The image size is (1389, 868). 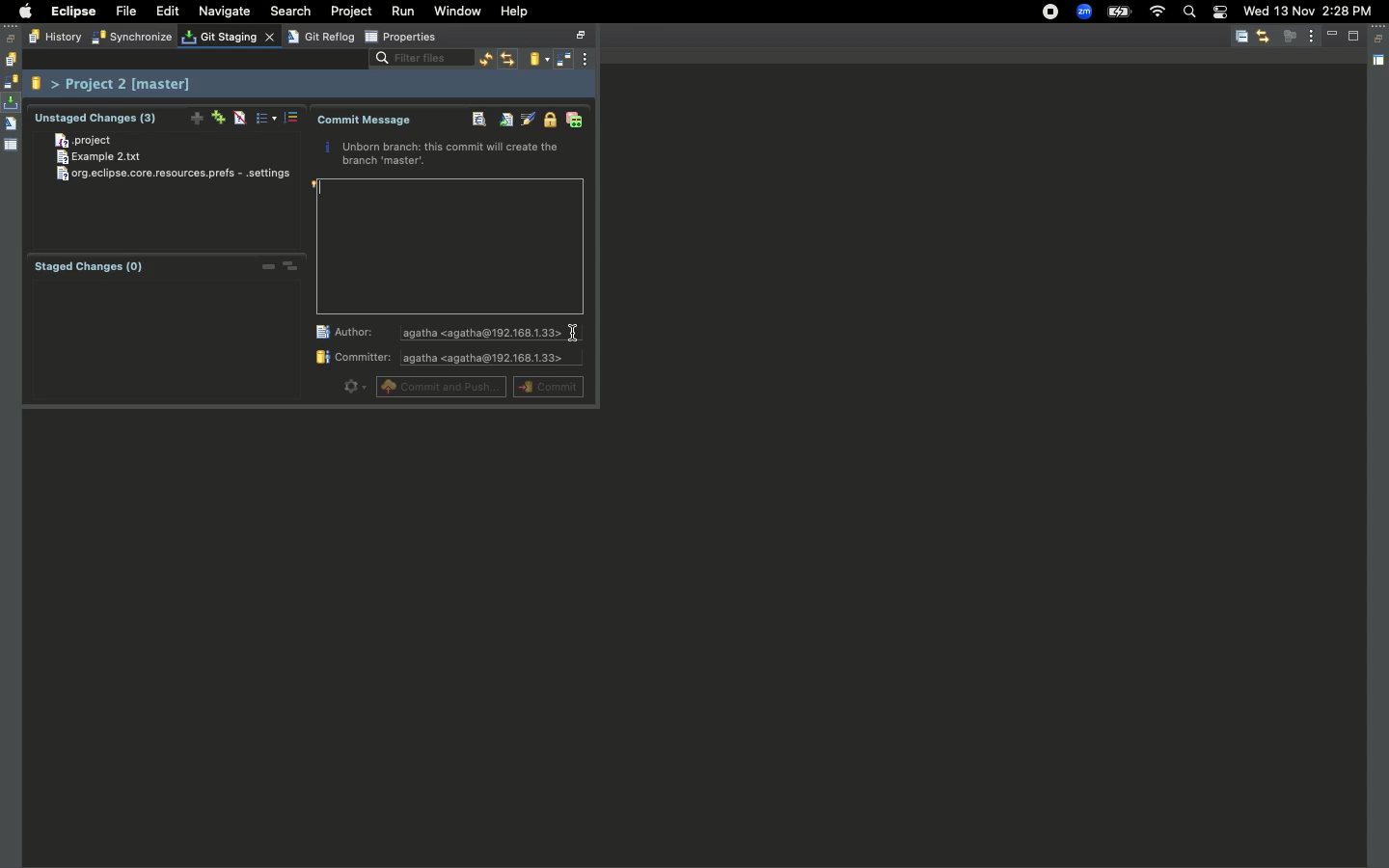 What do you see at coordinates (516, 11) in the screenshot?
I see `Help` at bounding box center [516, 11].